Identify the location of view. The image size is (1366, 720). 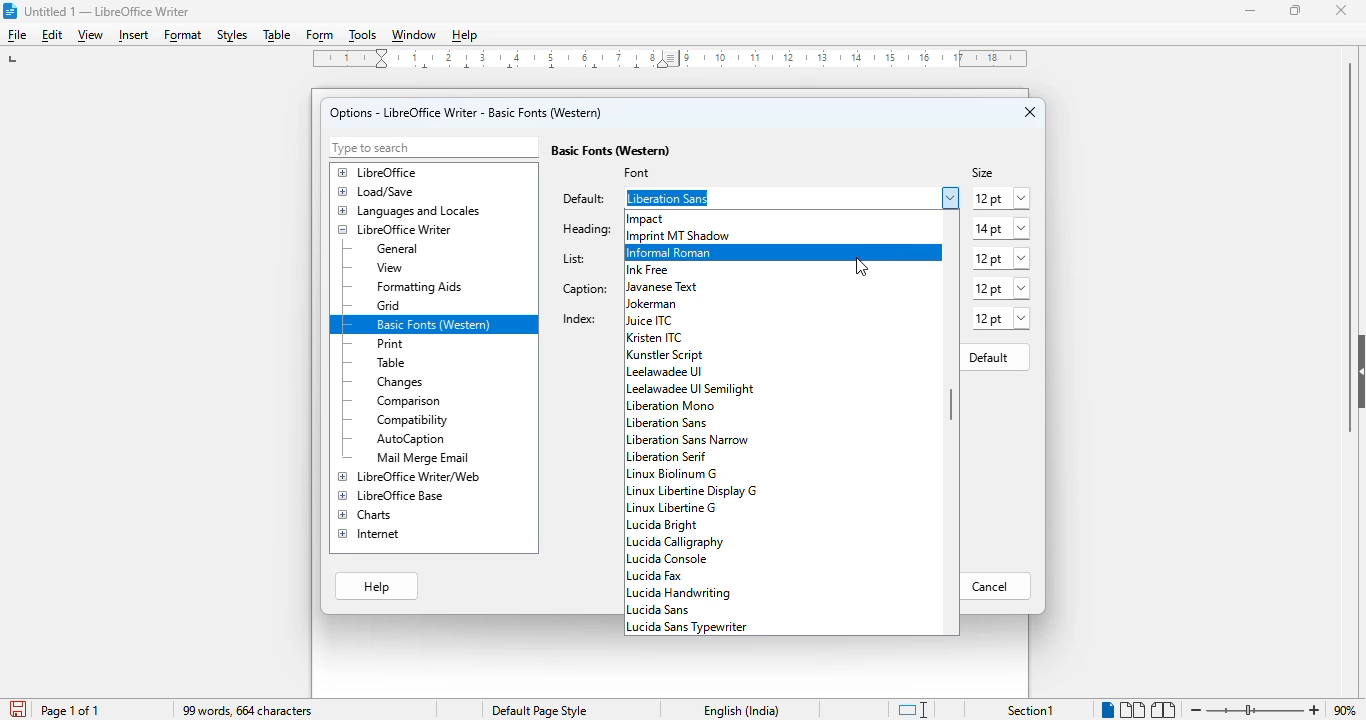
(90, 36).